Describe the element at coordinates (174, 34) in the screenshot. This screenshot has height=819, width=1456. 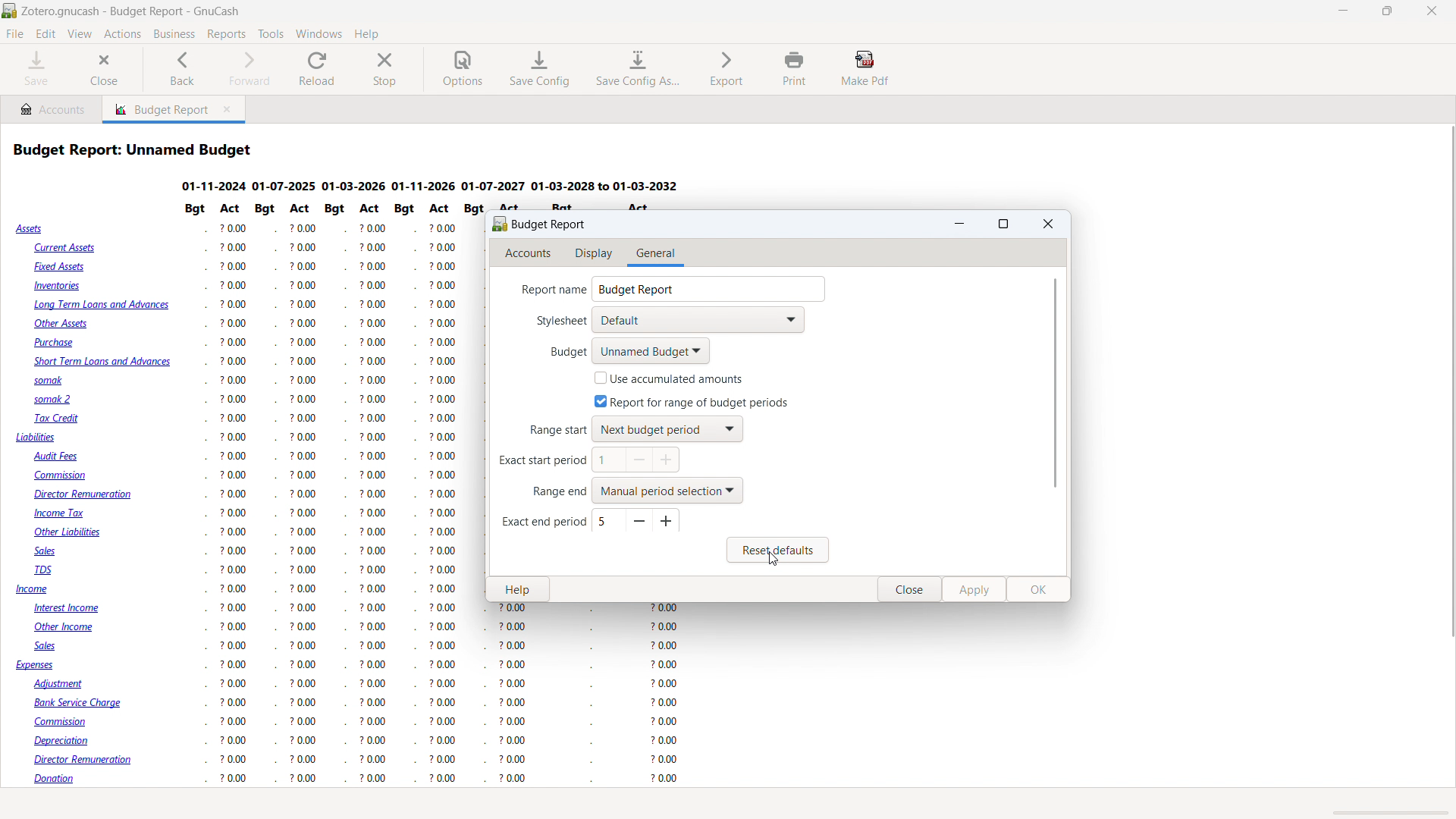
I see `business` at that location.